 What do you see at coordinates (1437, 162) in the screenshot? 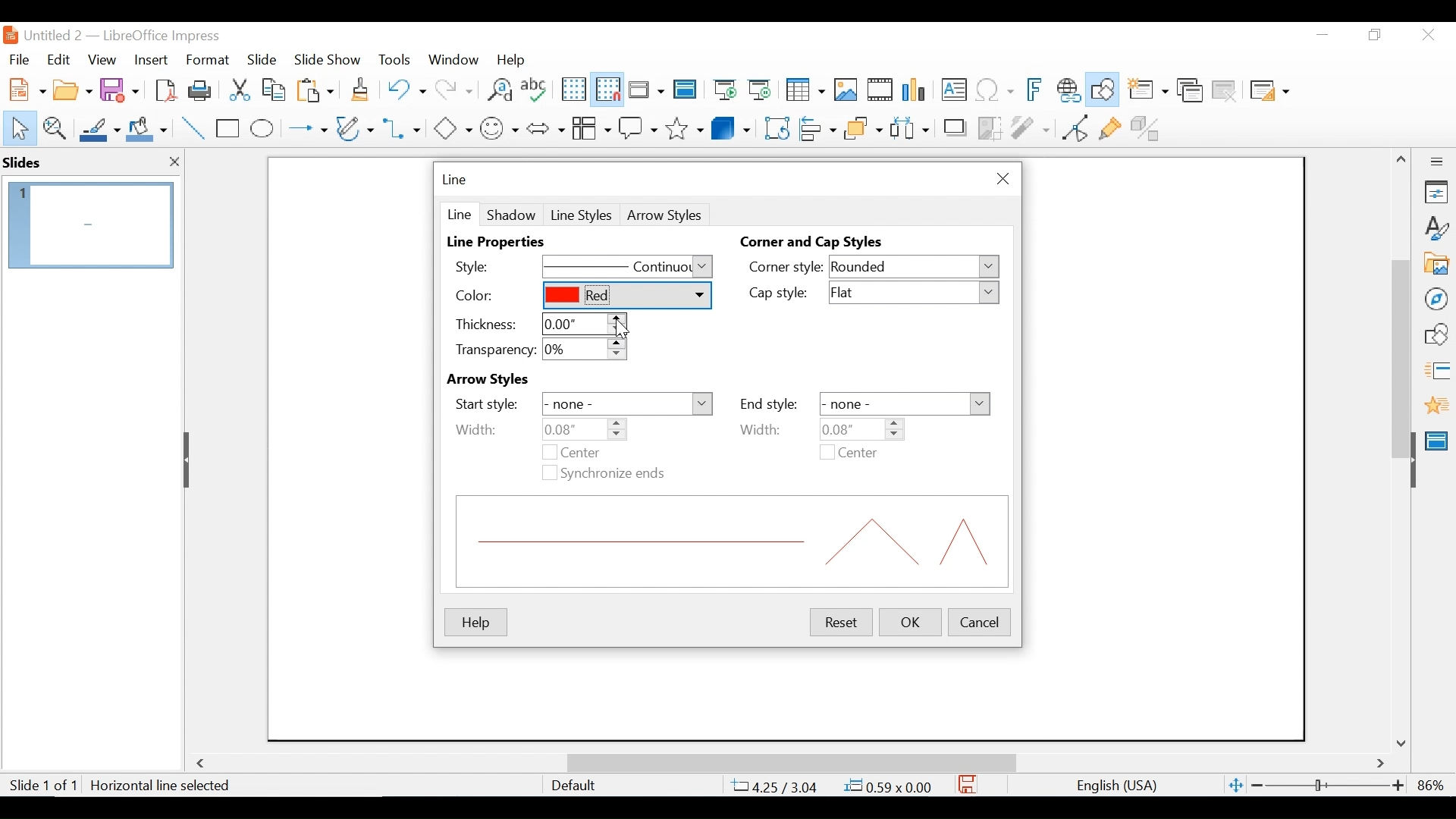
I see `Sidebar Settings` at bounding box center [1437, 162].